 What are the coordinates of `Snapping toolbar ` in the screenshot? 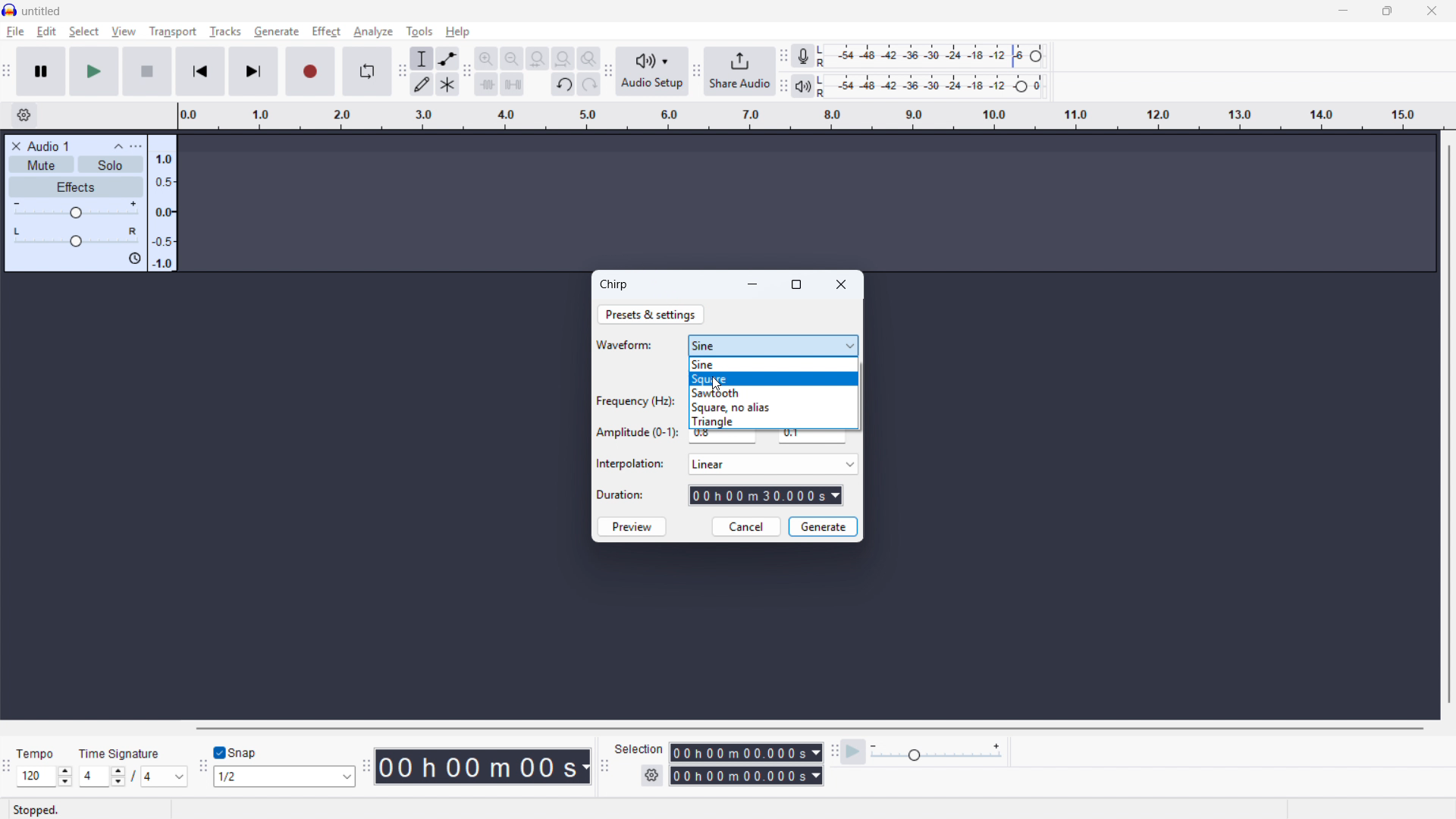 It's located at (203, 769).